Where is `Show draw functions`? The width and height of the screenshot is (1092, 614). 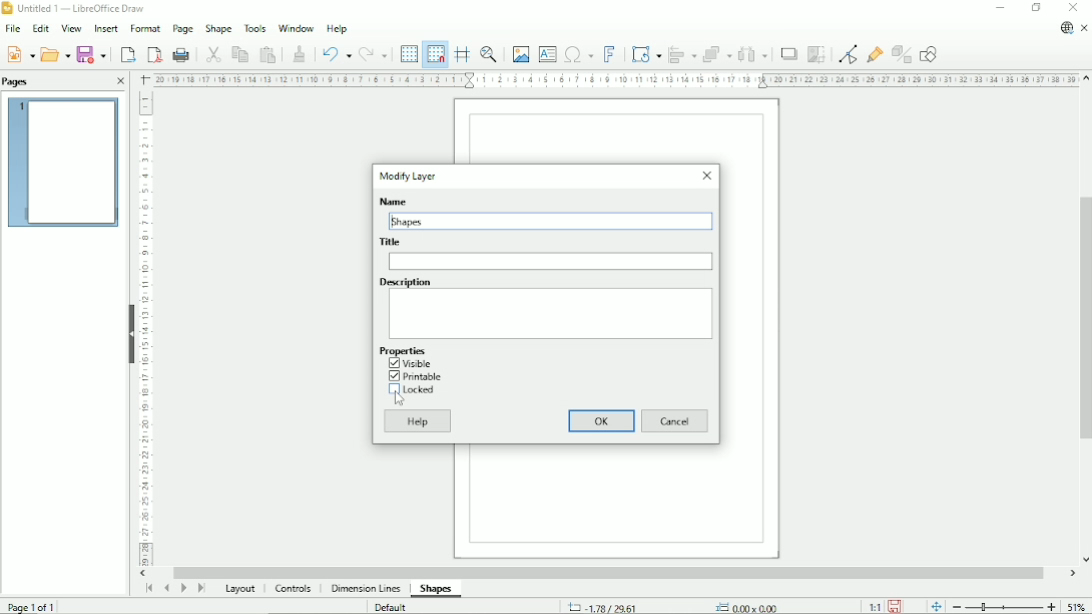
Show draw functions is located at coordinates (930, 54).